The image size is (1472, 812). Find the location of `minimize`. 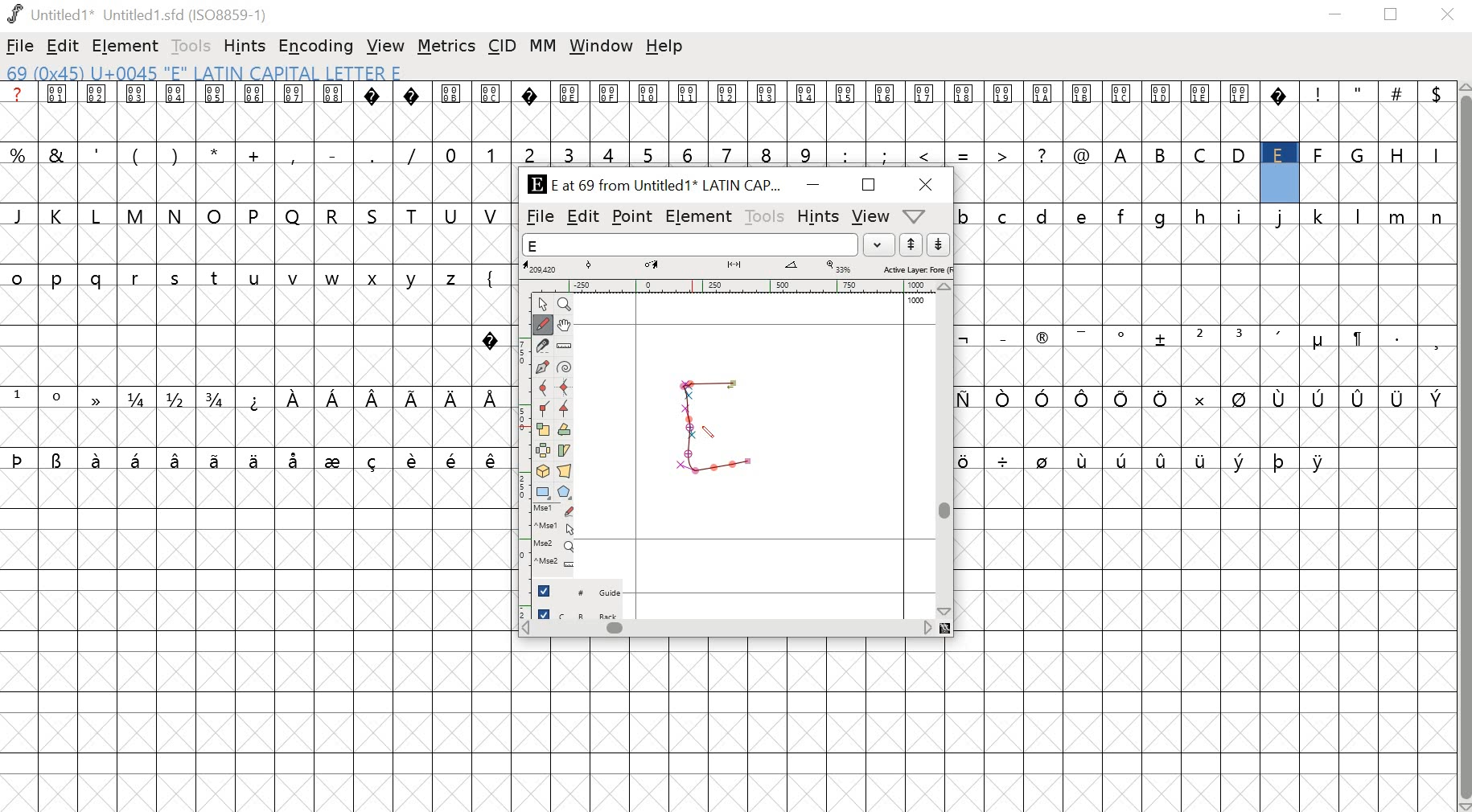

minimize is located at coordinates (1336, 17).